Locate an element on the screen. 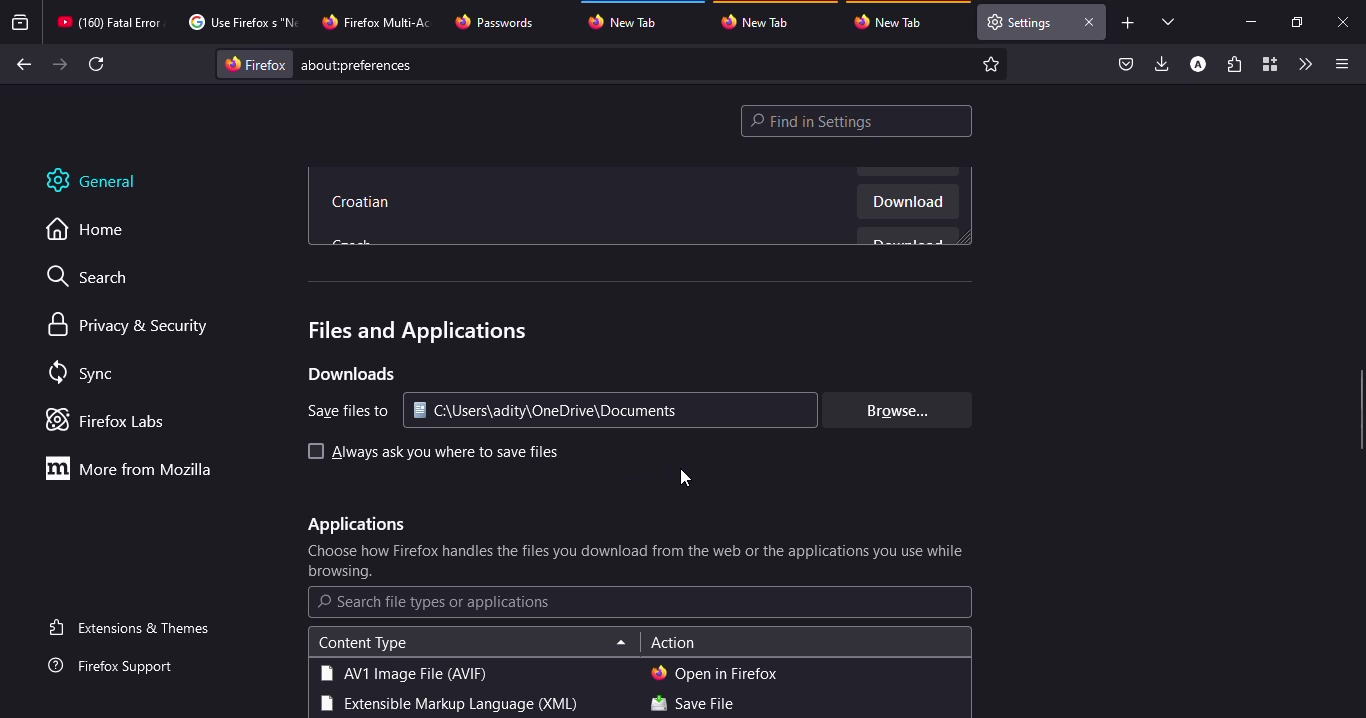  drag to is located at coordinates (1361, 411).